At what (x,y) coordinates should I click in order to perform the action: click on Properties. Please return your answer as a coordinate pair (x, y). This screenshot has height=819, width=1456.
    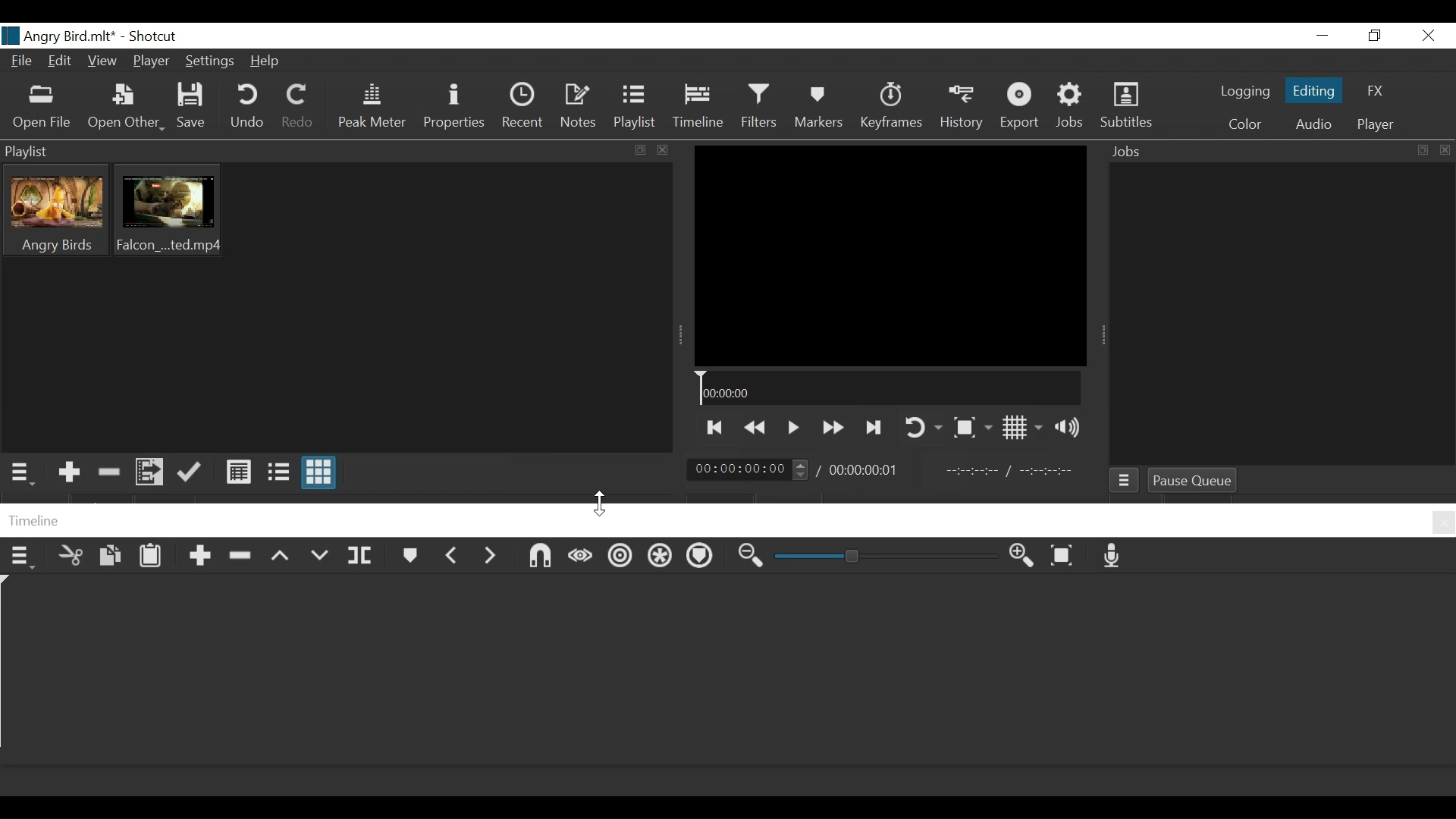
    Looking at the image, I should click on (453, 107).